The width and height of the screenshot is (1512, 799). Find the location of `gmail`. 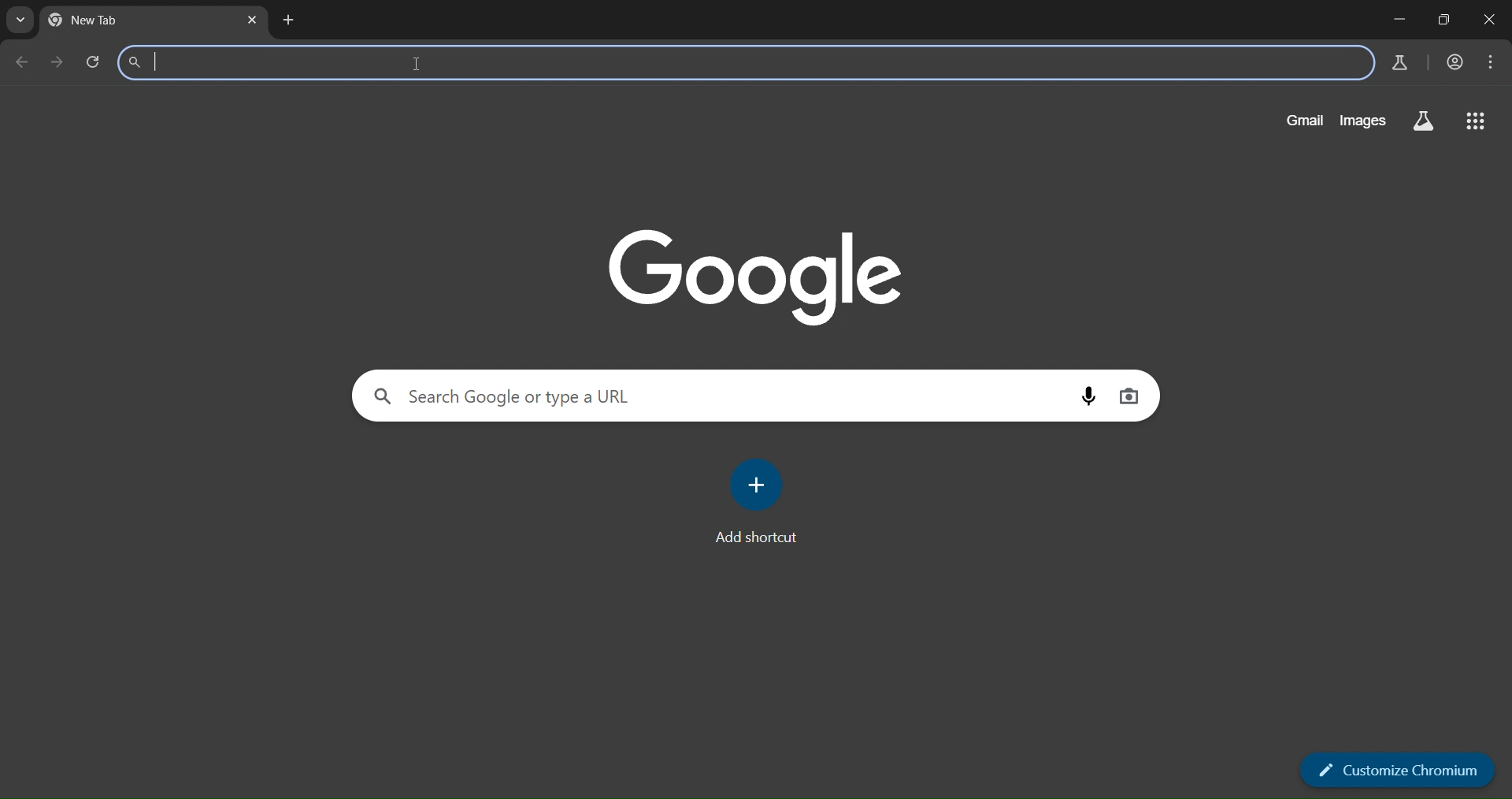

gmail is located at coordinates (1306, 119).